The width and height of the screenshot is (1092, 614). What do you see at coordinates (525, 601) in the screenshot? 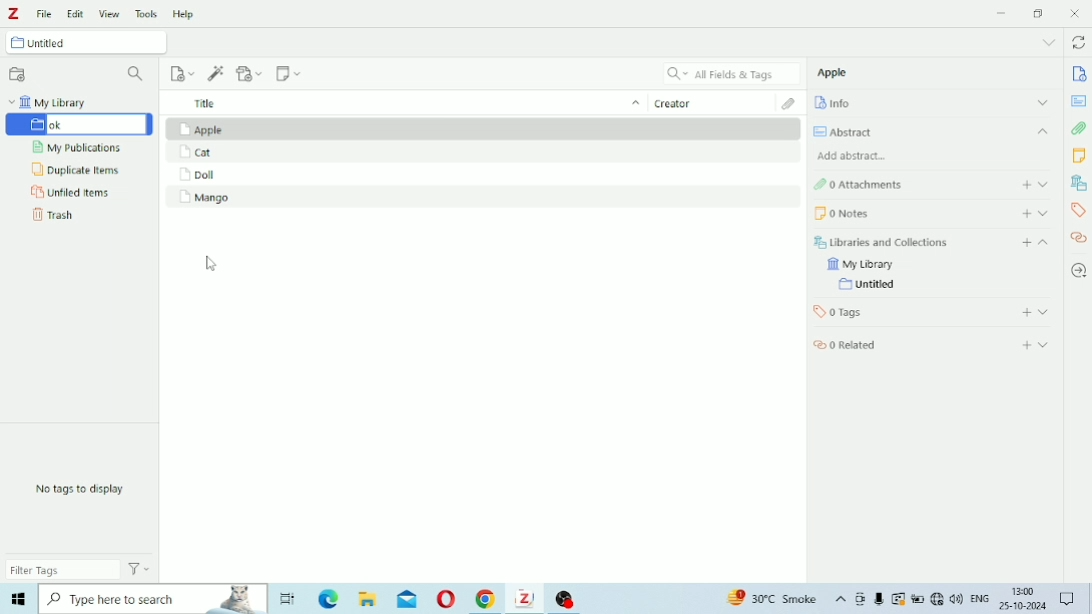
I see `` at bounding box center [525, 601].